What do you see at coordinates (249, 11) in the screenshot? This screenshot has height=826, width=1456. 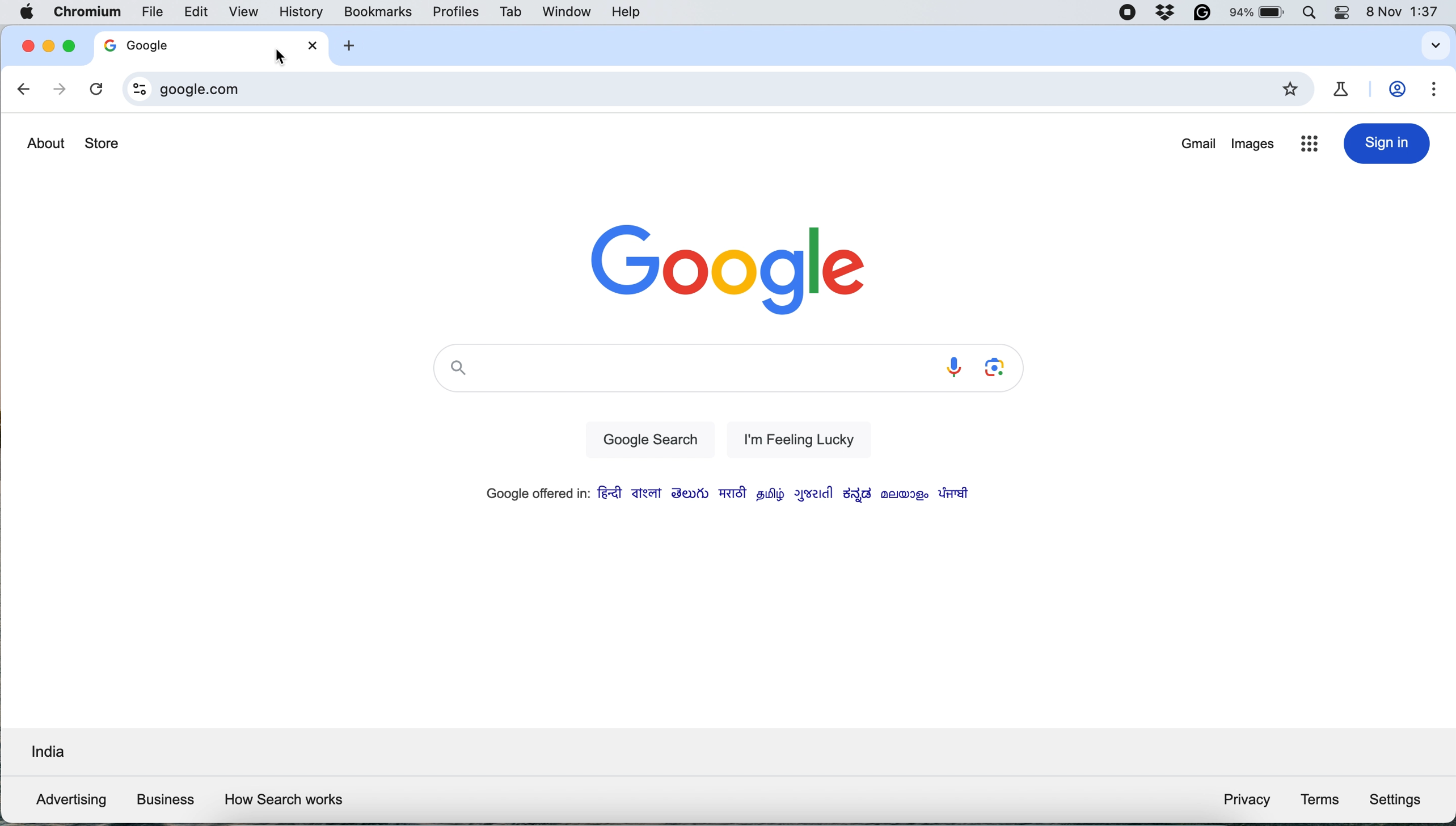 I see `view` at bounding box center [249, 11].